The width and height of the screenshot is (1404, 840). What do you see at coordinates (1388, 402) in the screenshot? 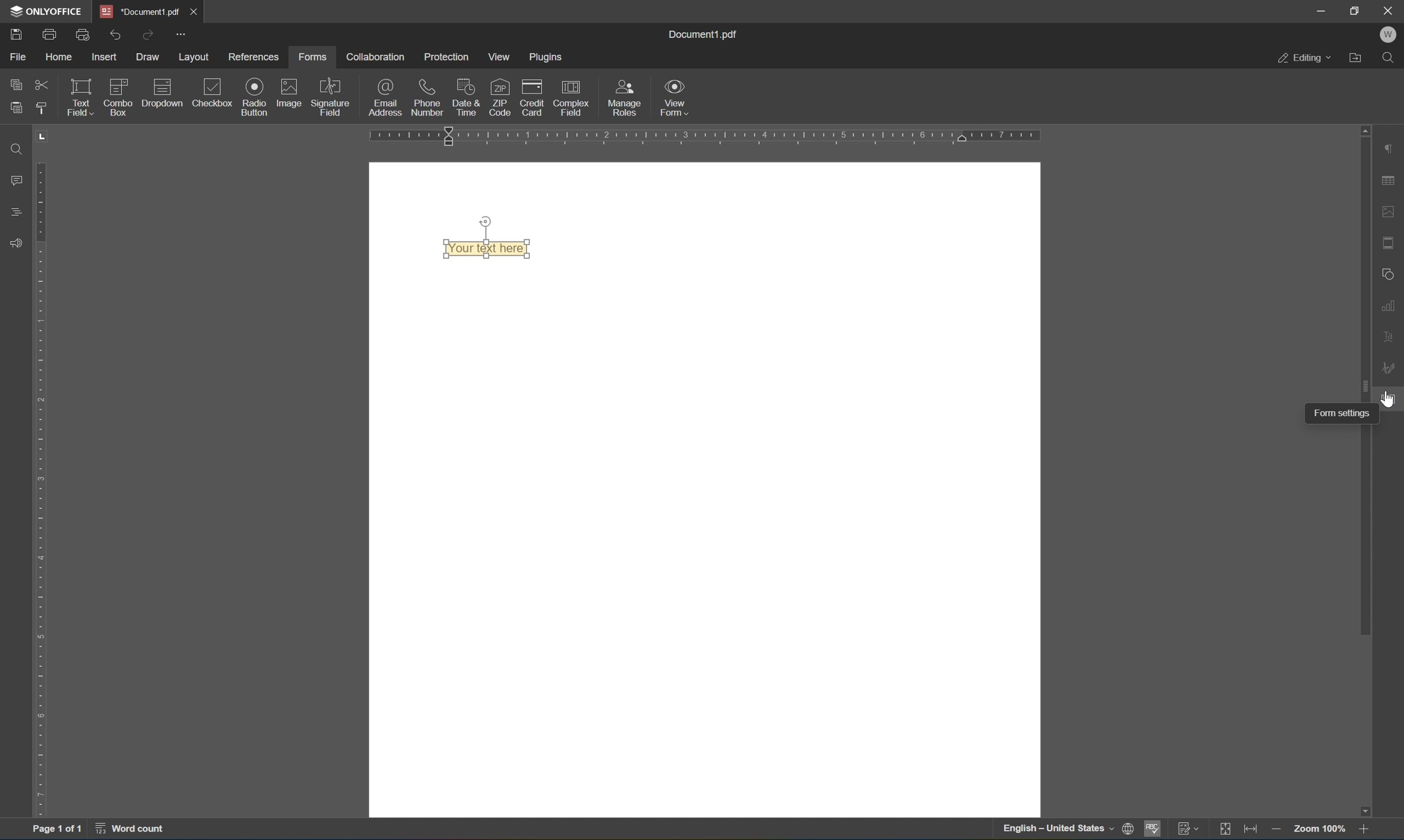
I see `cursor` at bounding box center [1388, 402].